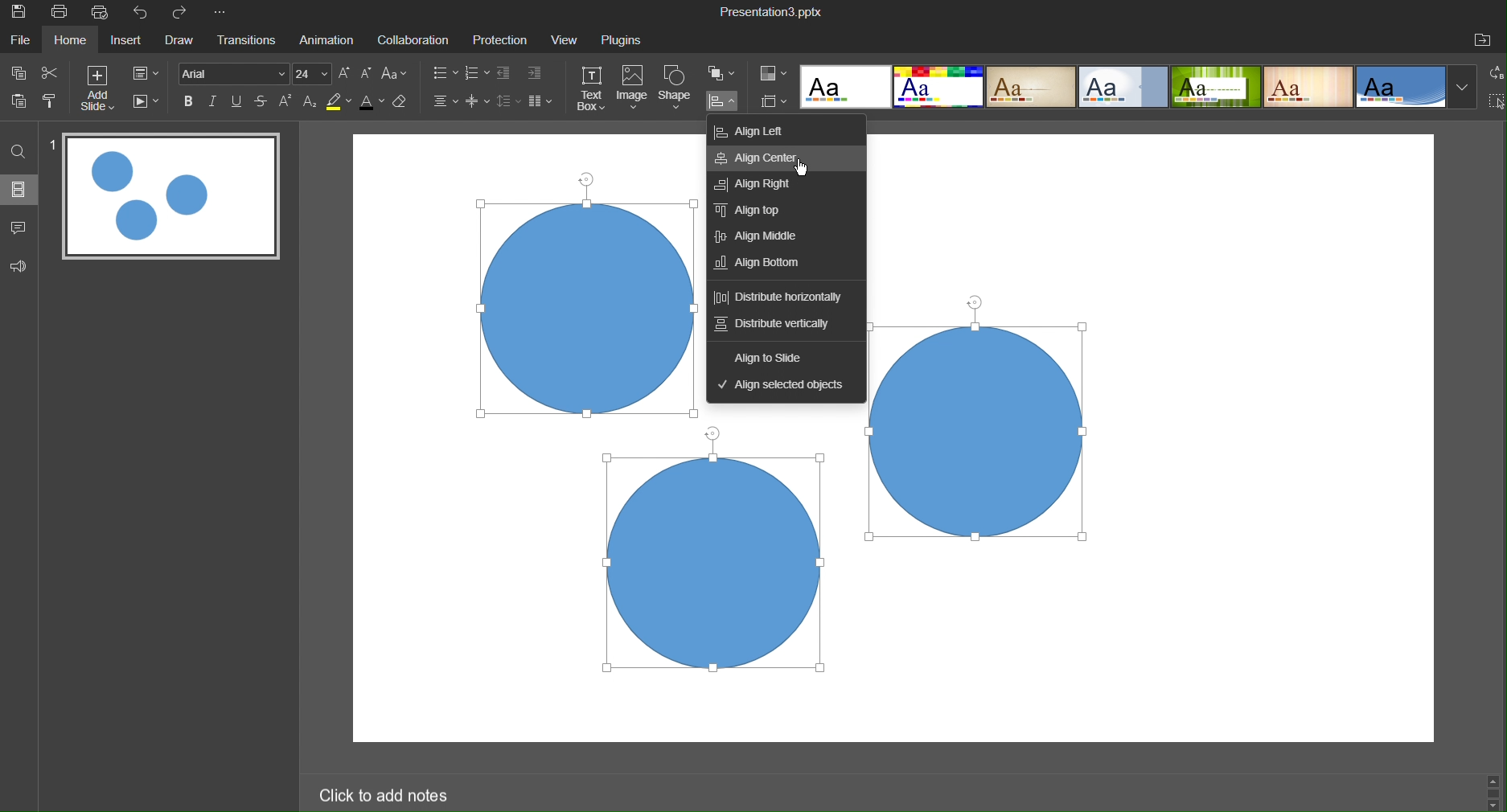  Describe the element at coordinates (1497, 103) in the screenshot. I see `Select All` at that location.